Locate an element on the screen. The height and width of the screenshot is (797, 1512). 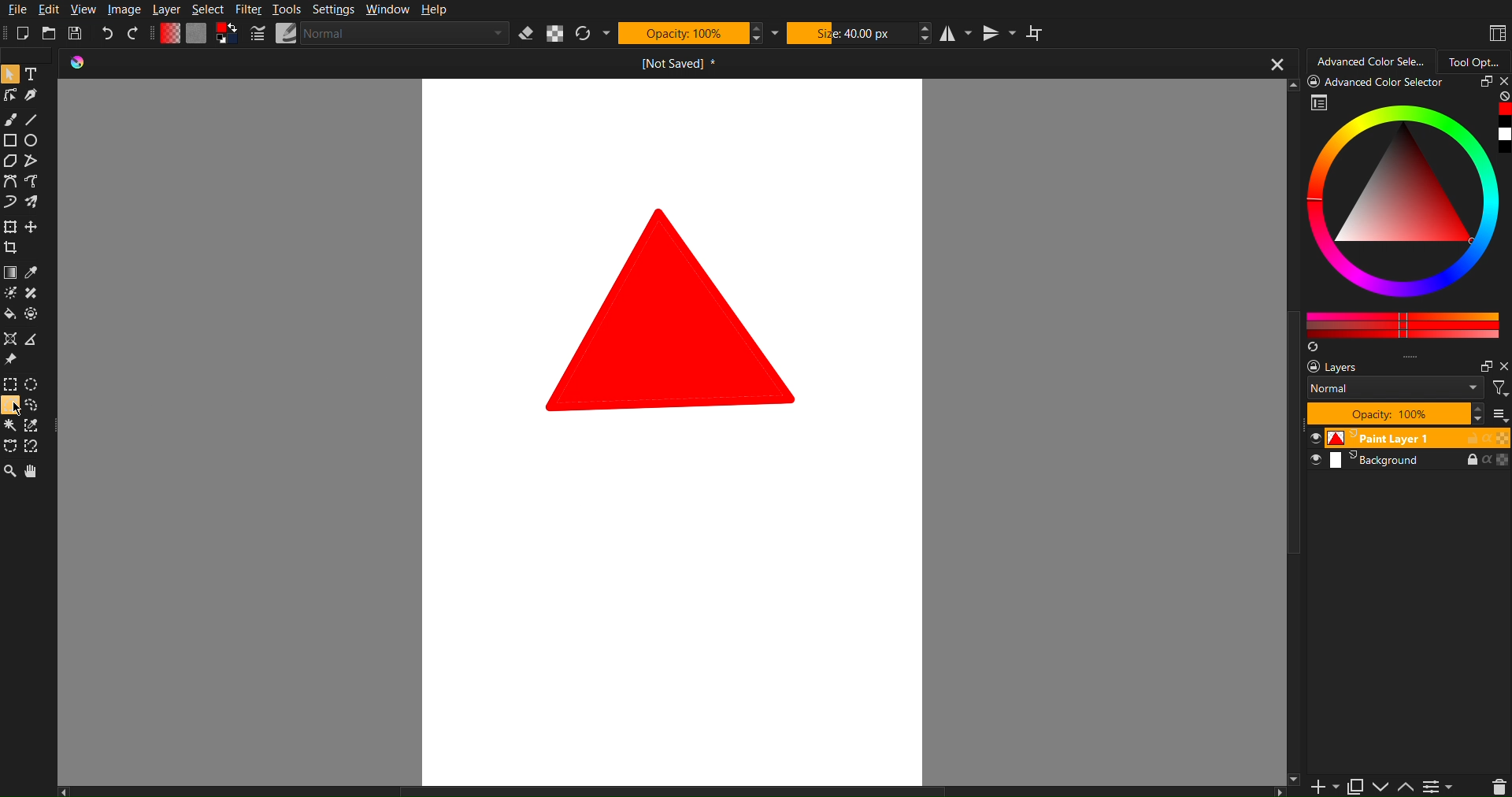
Gradient is located at coordinates (9, 274).